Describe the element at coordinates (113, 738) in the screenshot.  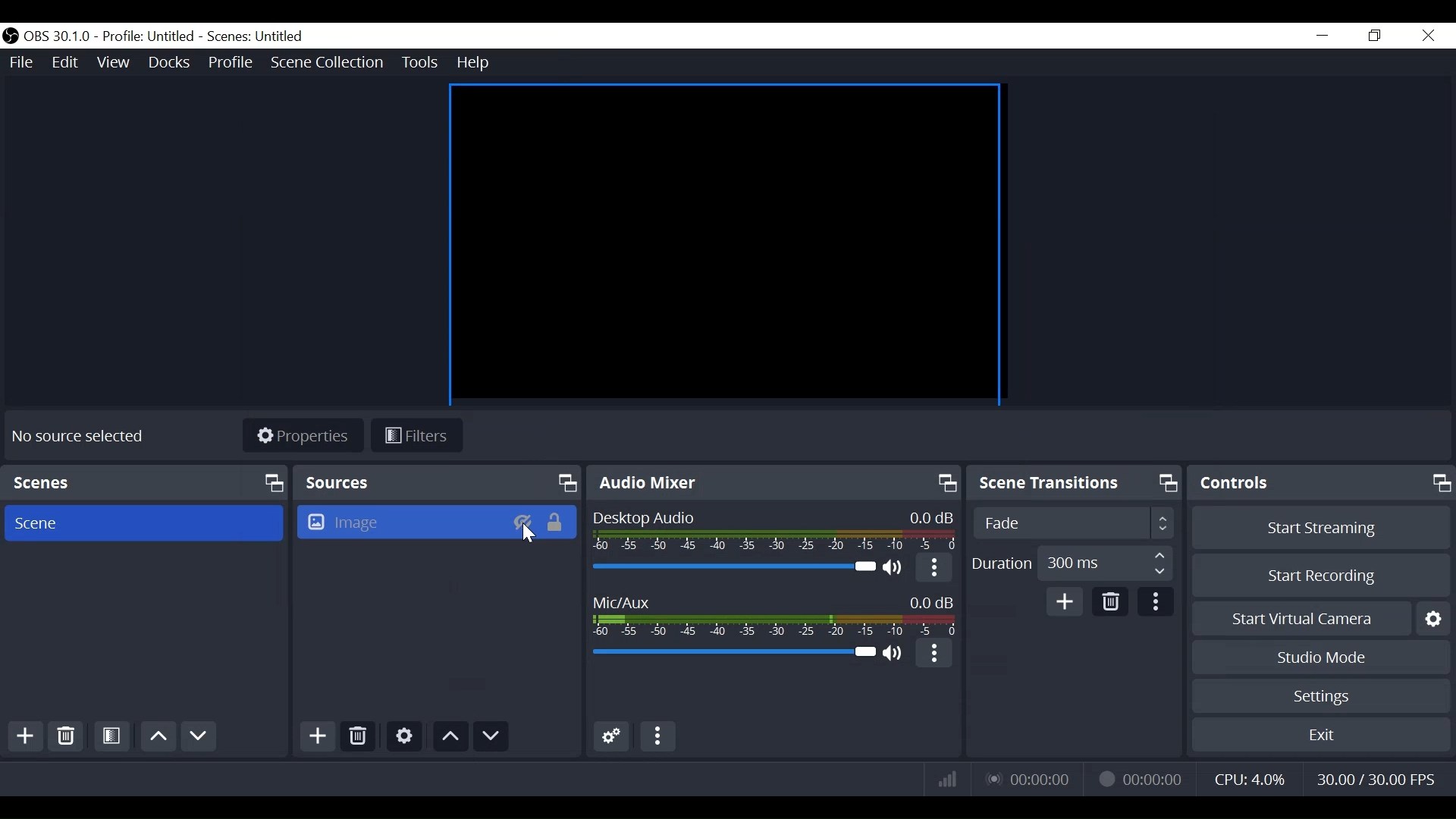
I see `Open Scene Filters` at that location.